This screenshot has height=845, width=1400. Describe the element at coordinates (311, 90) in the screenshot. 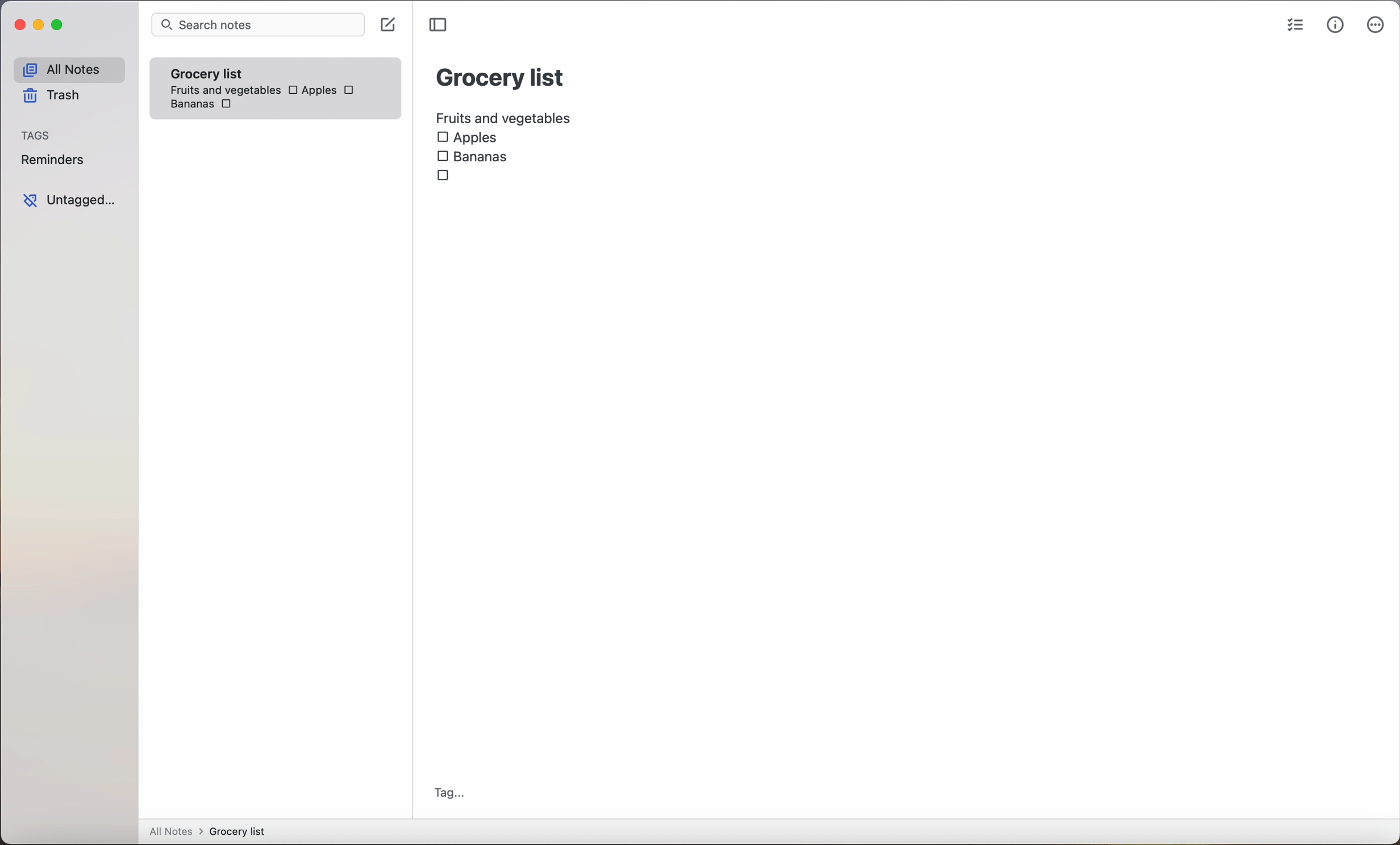

I see `Apples checkbox` at that location.